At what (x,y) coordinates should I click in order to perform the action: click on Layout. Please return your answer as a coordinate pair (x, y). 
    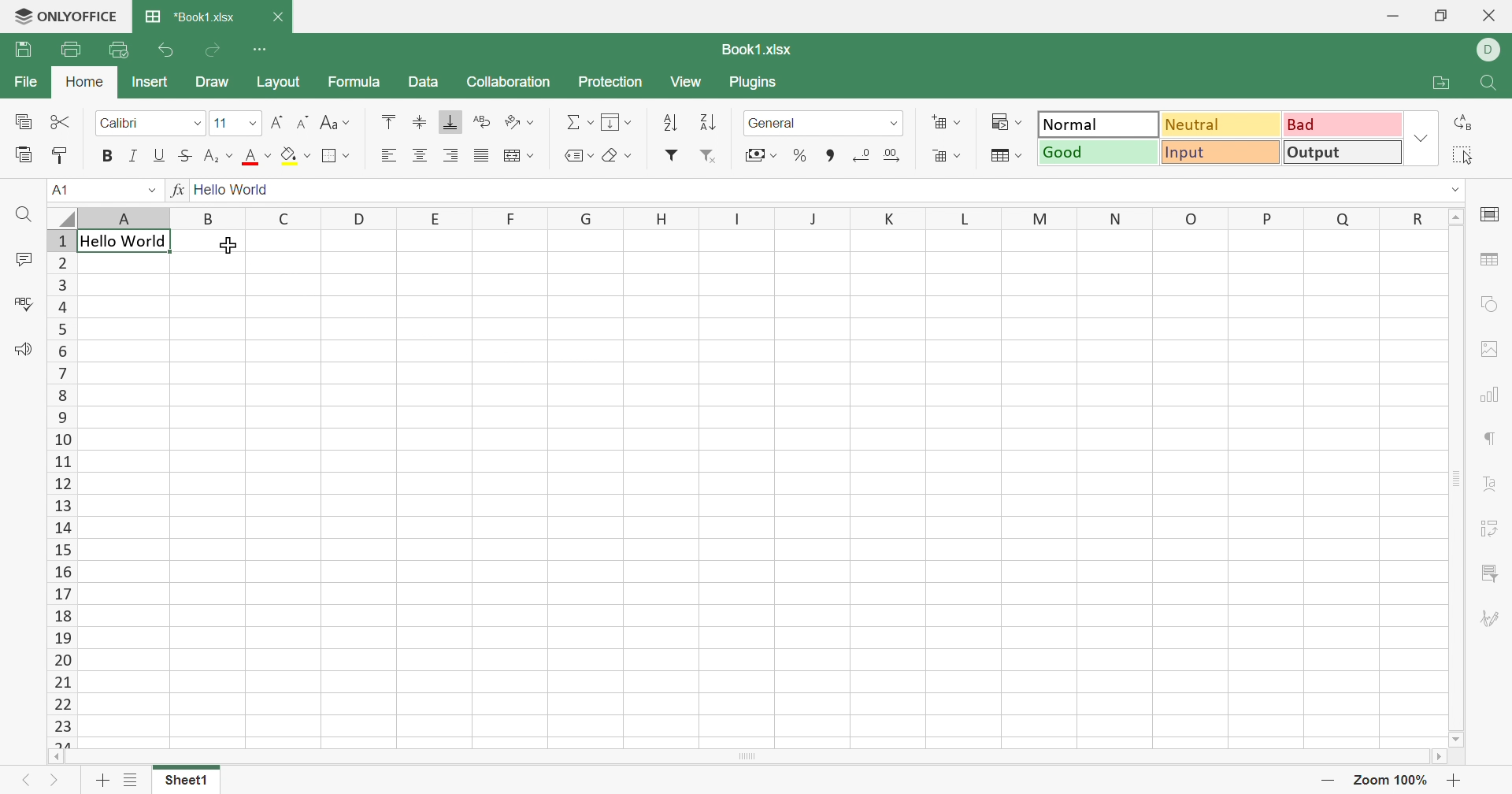
    Looking at the image, I should click on (272, 80).